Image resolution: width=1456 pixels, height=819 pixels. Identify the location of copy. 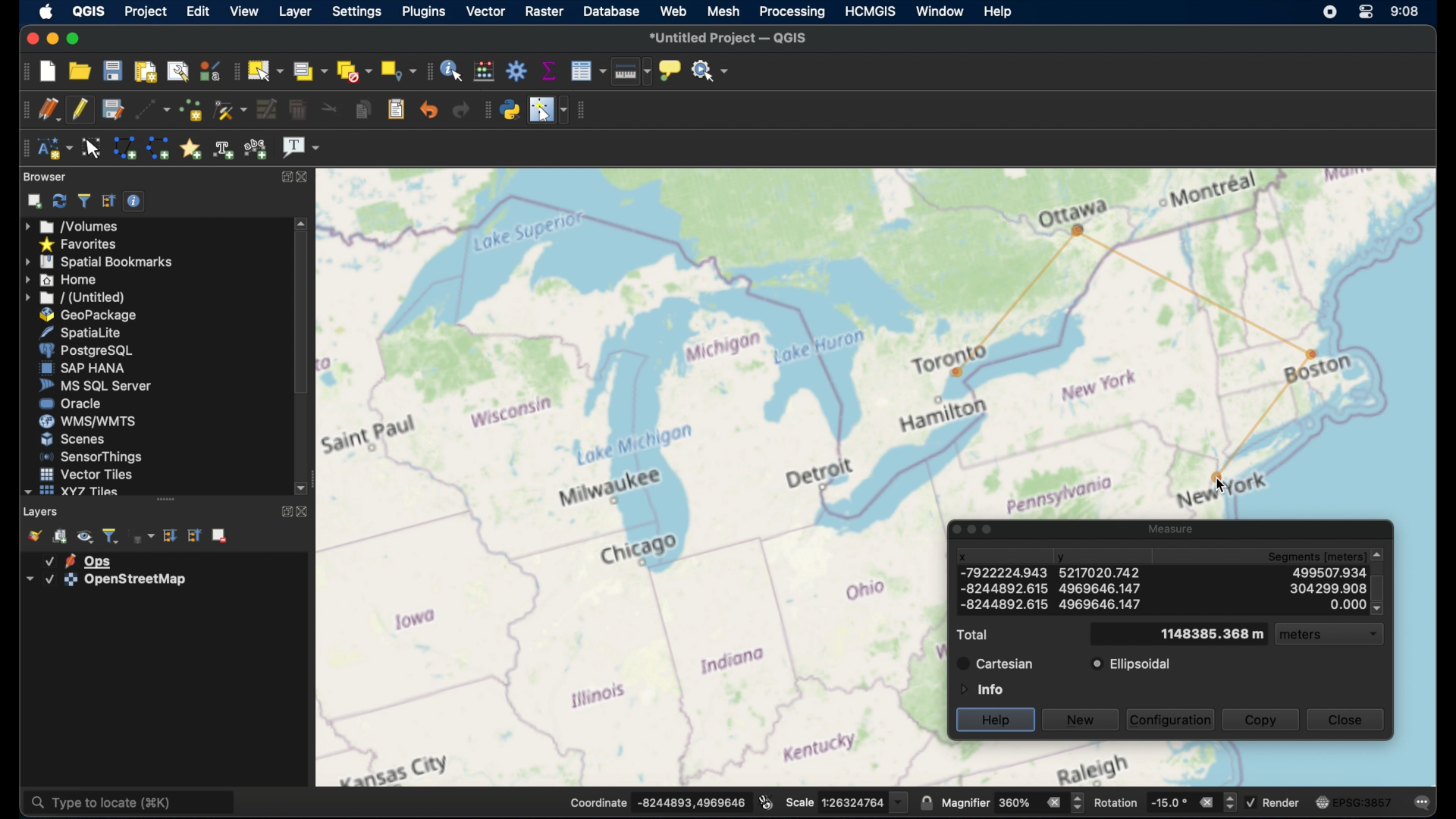
(1261, 719).